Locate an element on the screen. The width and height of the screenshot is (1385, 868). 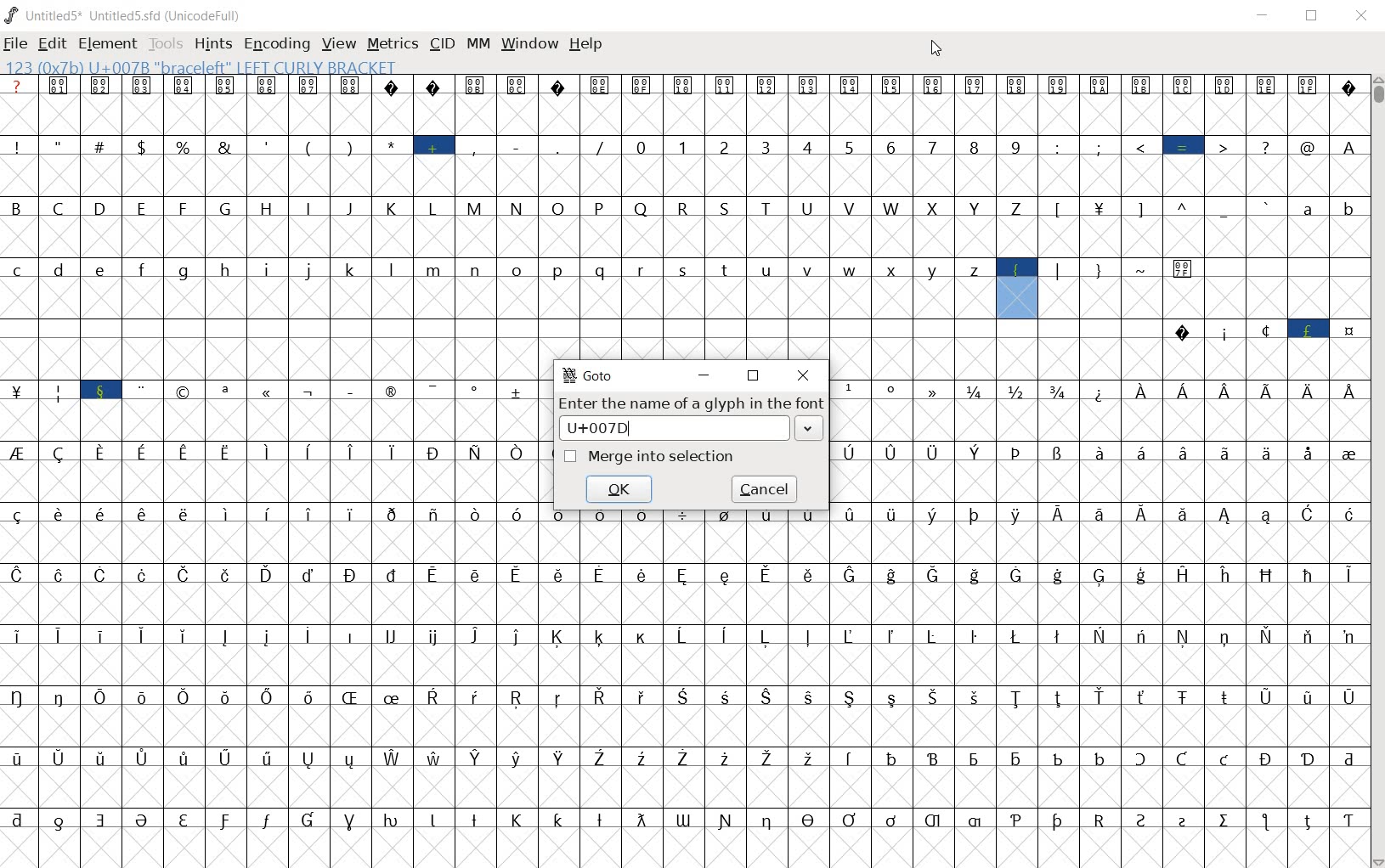
123 (0X7b) U+007B "braceleft" LEFT CURLY BRACKET is located at coordinates (204, 66).